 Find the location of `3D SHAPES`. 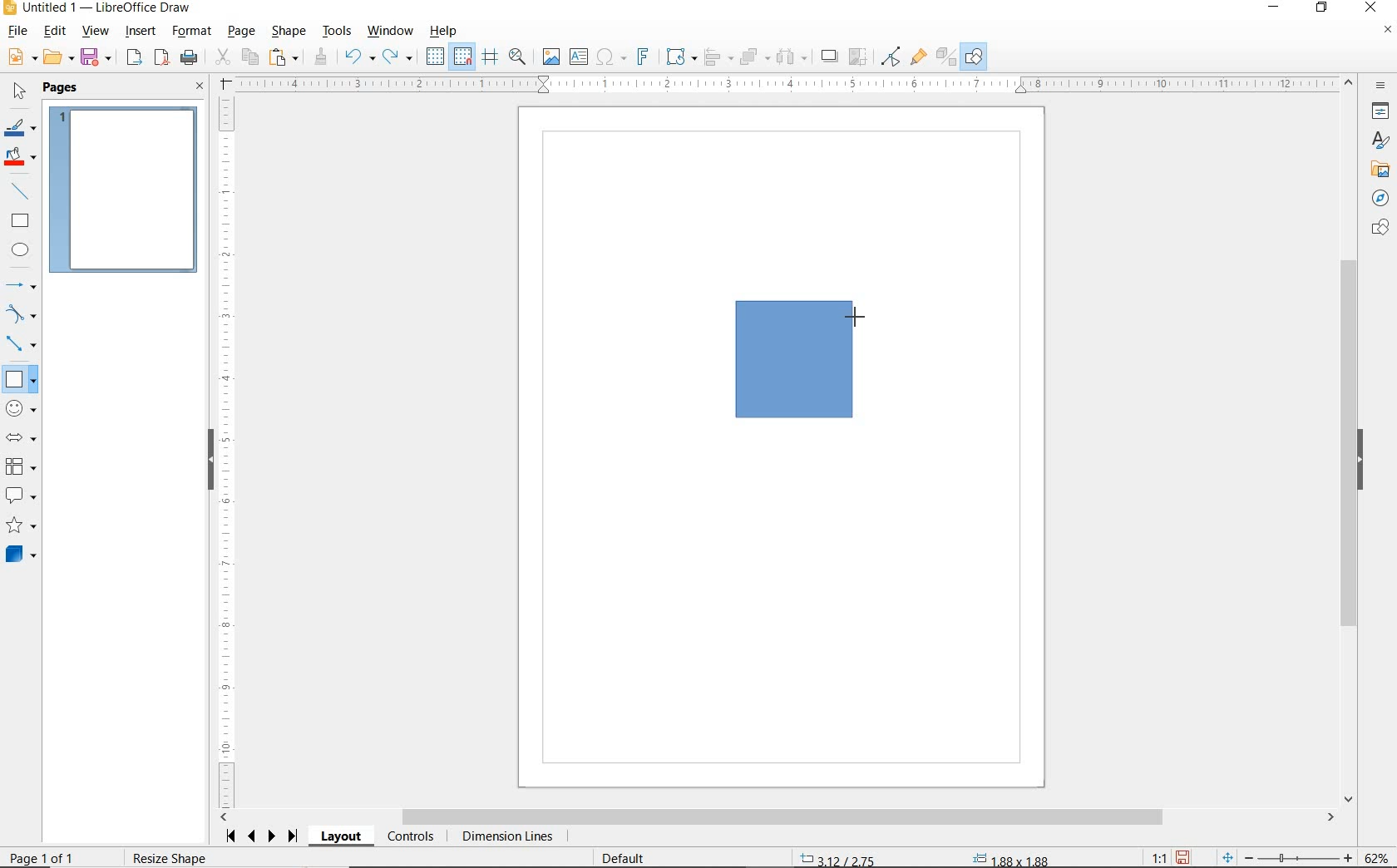

3D SHAPES is located at coordinates (21, 555).